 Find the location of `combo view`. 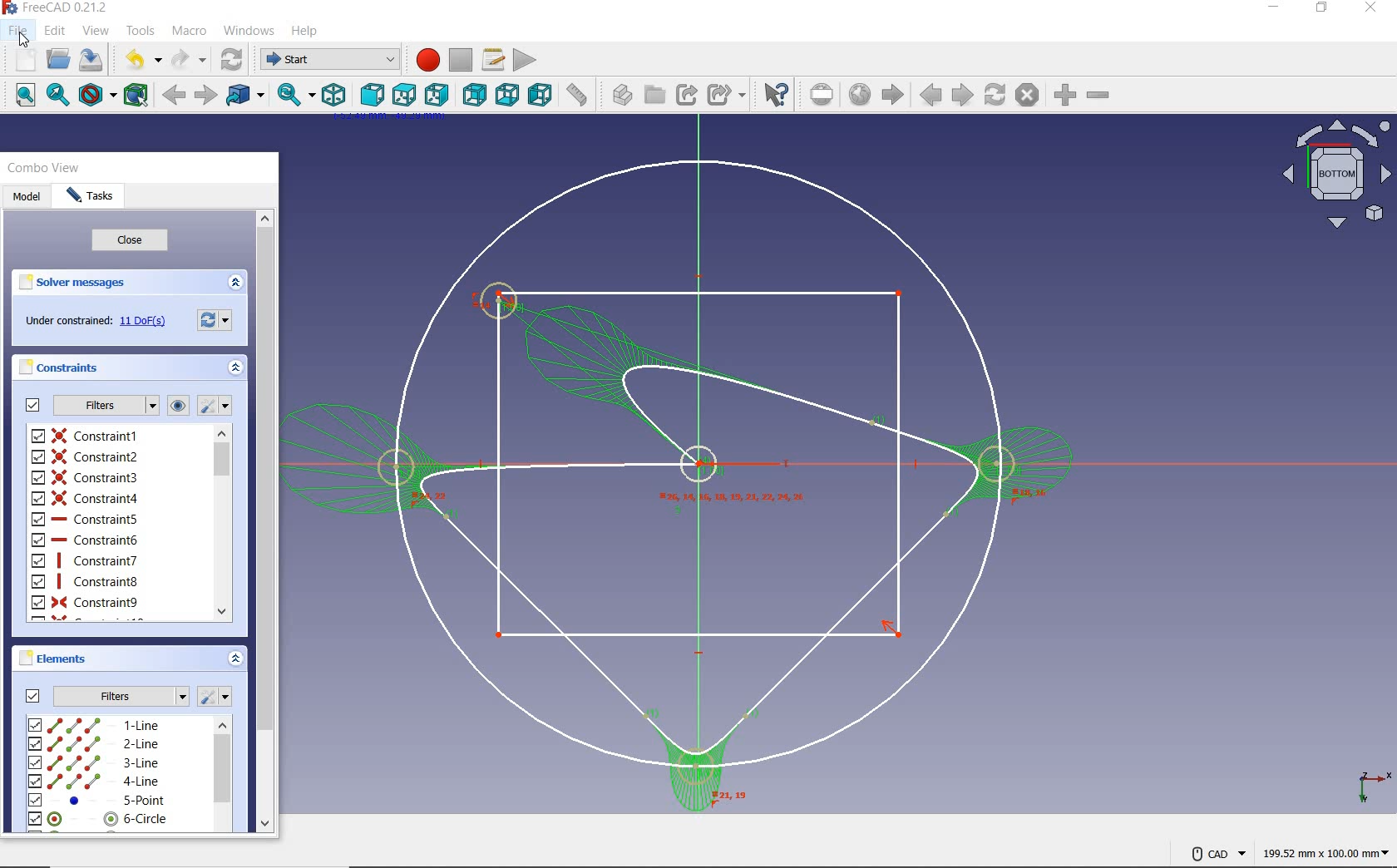

combo view is located at coordinates (42, 166).